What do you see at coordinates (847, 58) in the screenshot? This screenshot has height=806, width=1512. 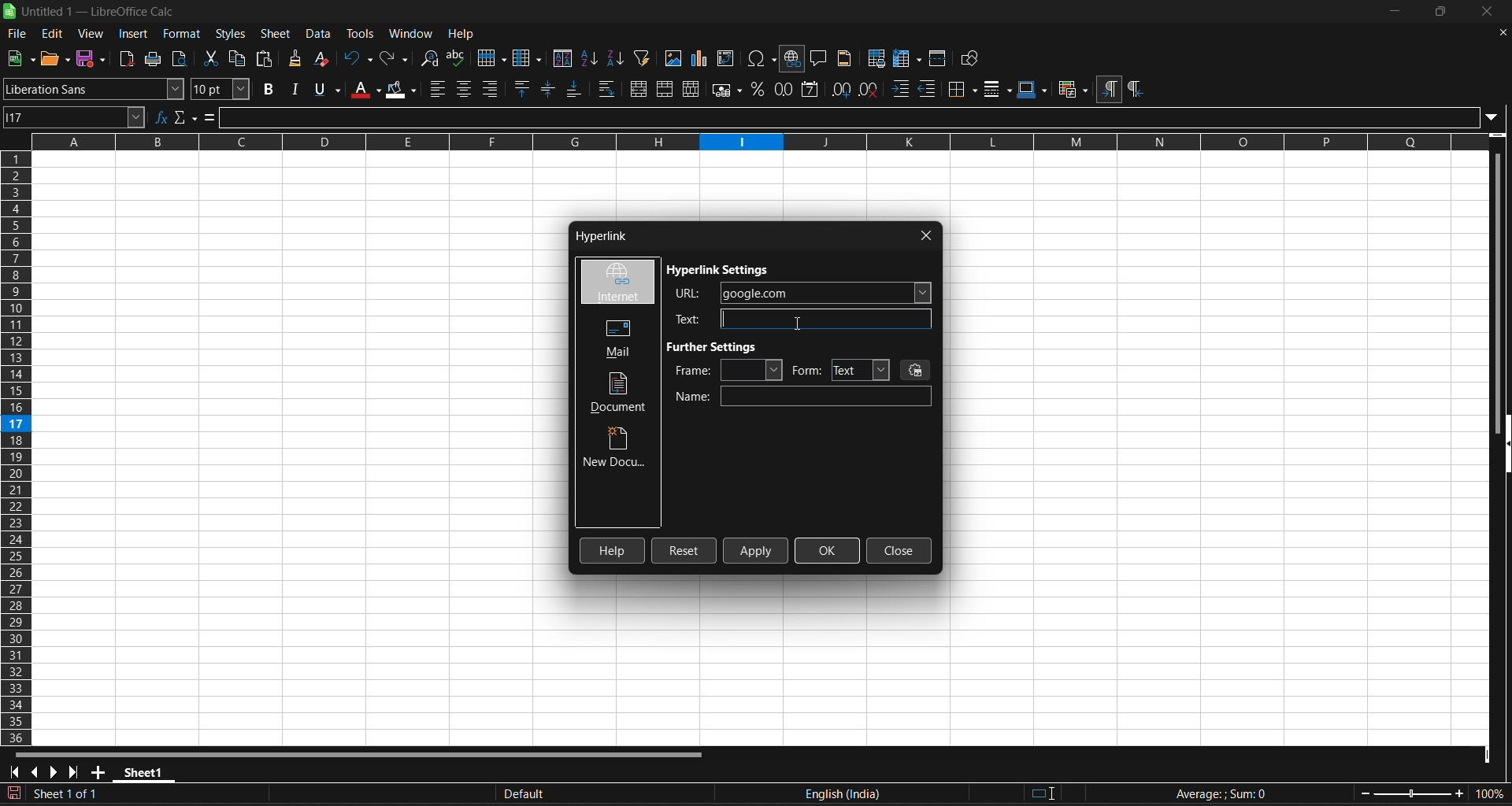 I see `headers and footers` at bounding box center [847, 58].